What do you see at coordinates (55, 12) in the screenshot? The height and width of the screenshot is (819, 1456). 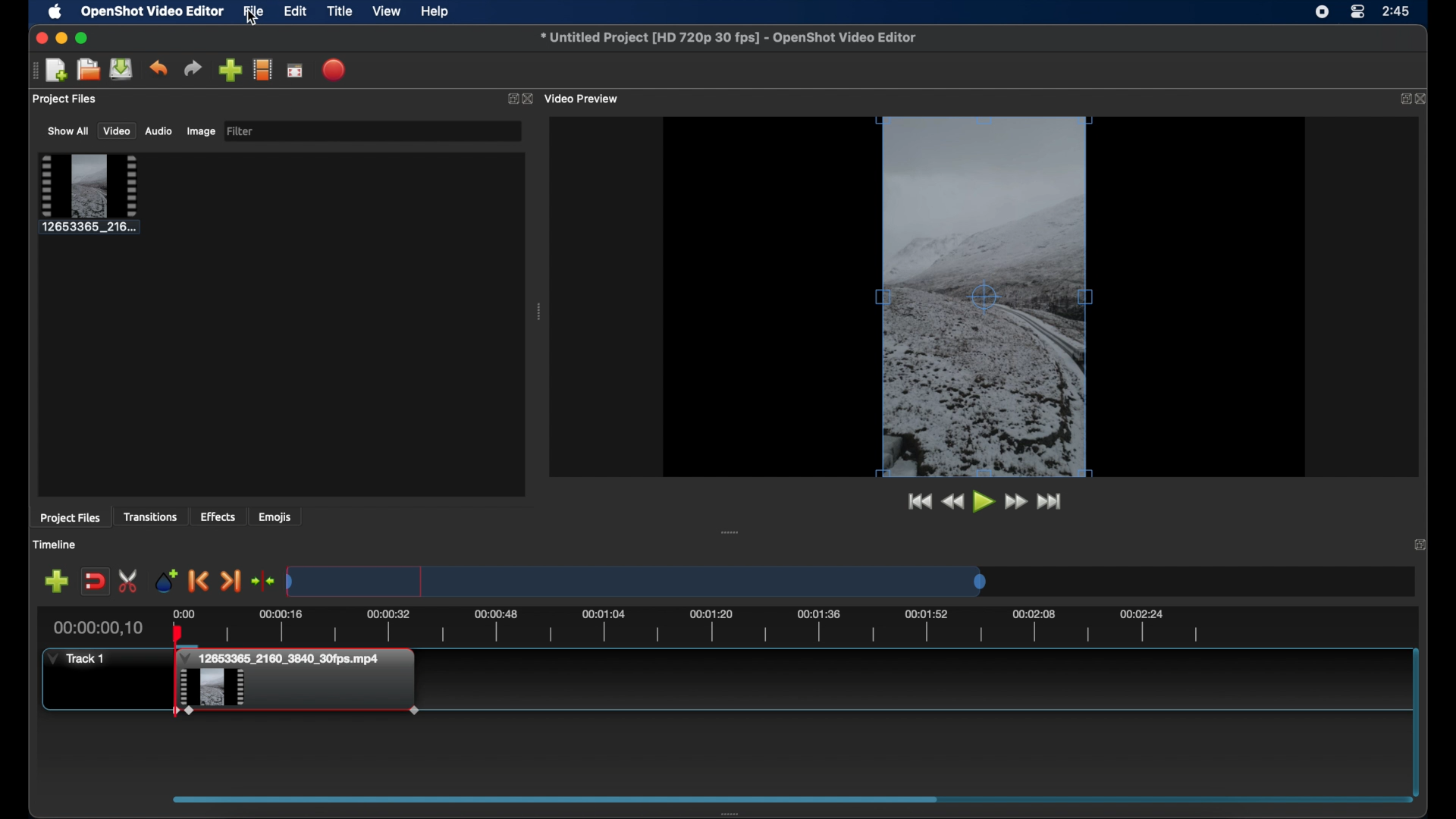 I see `apple icon` at bounding box center [55, 12].